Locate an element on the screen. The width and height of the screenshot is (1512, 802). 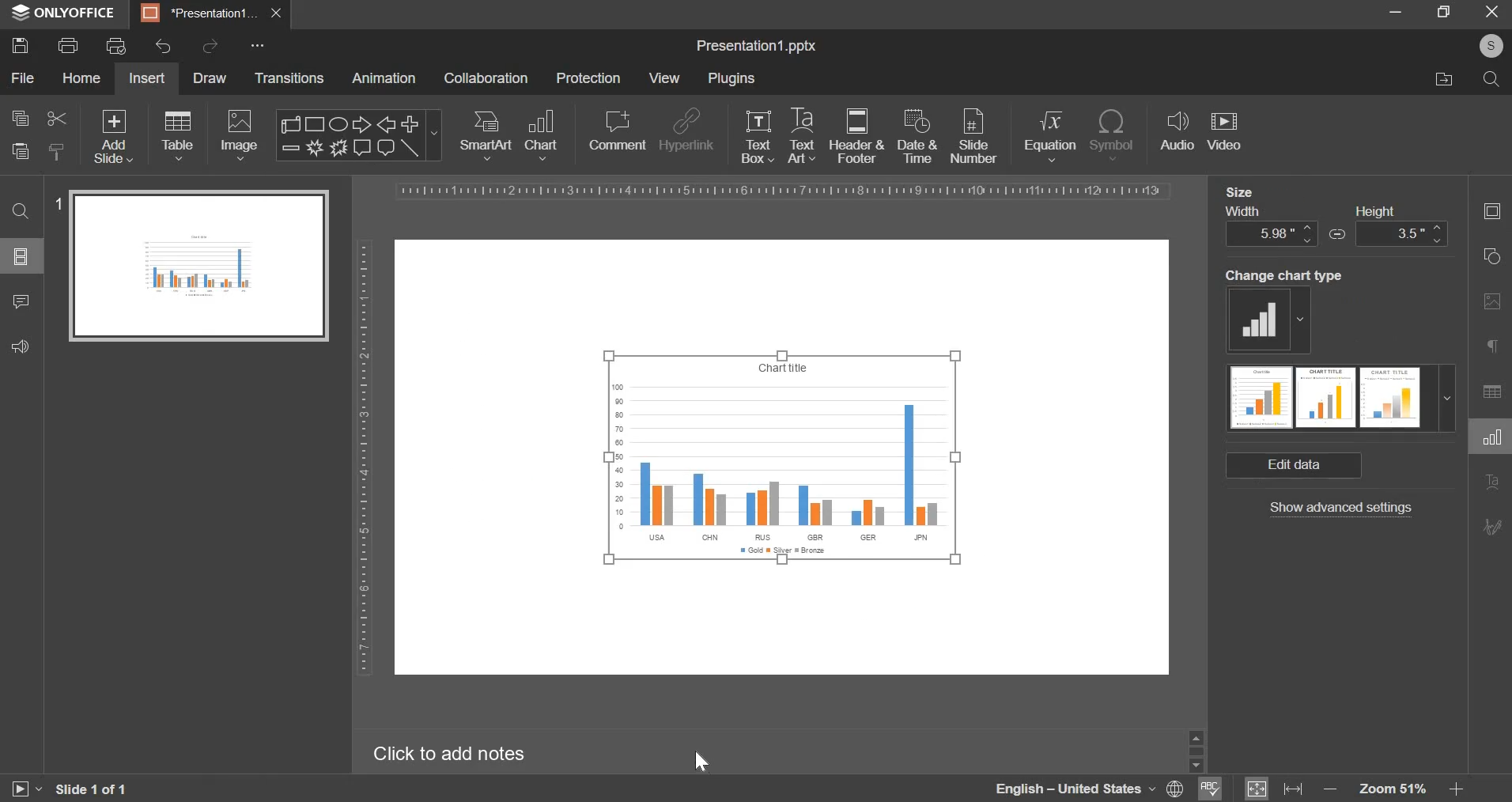
close is located at coordinates (278, 14).